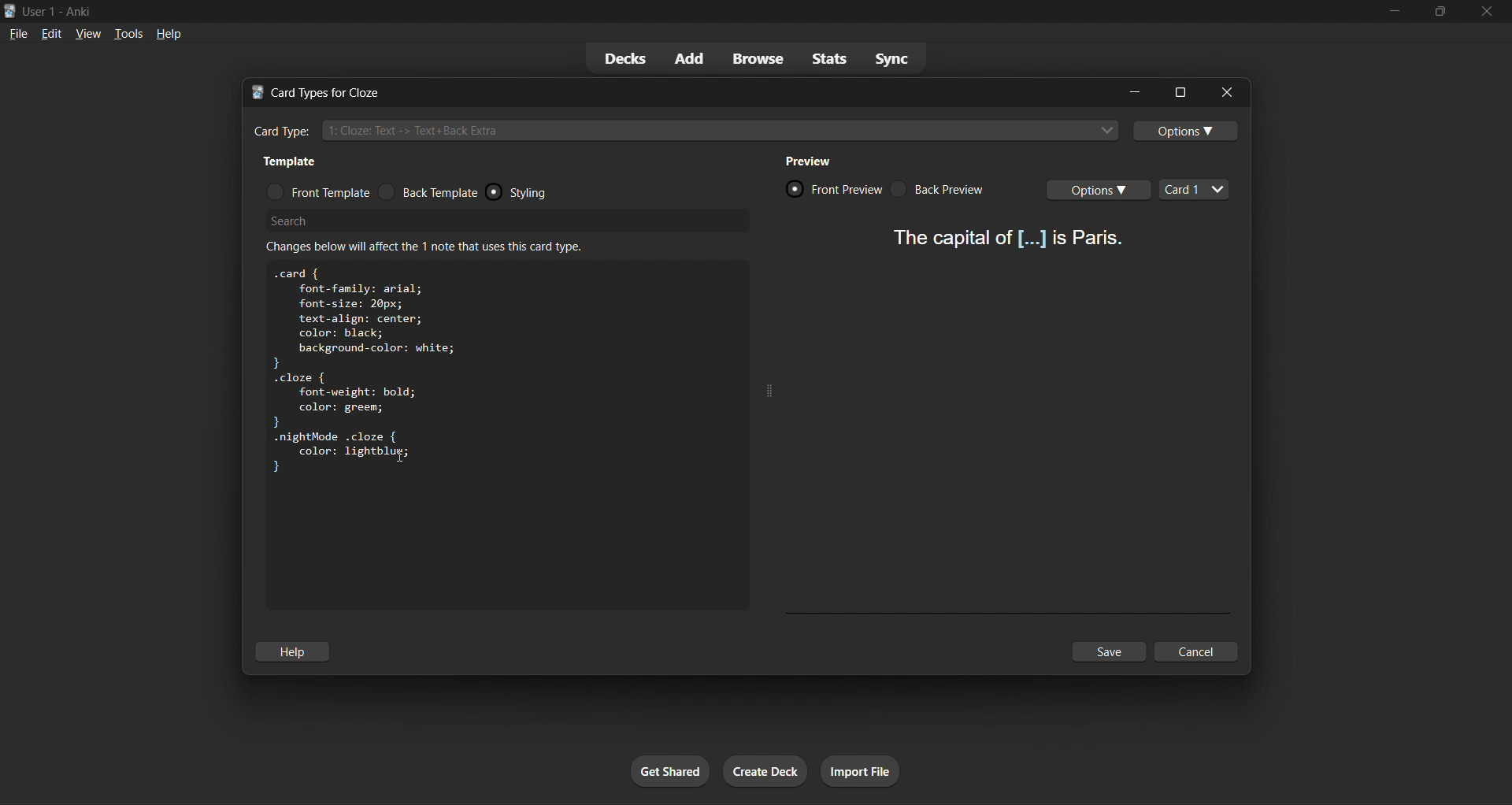 The height and width of the screenshot is (805, 1512). What do you see at coordinates (813, 165) in the screenshot?
I see `preview` at bounding box center [813, 165].